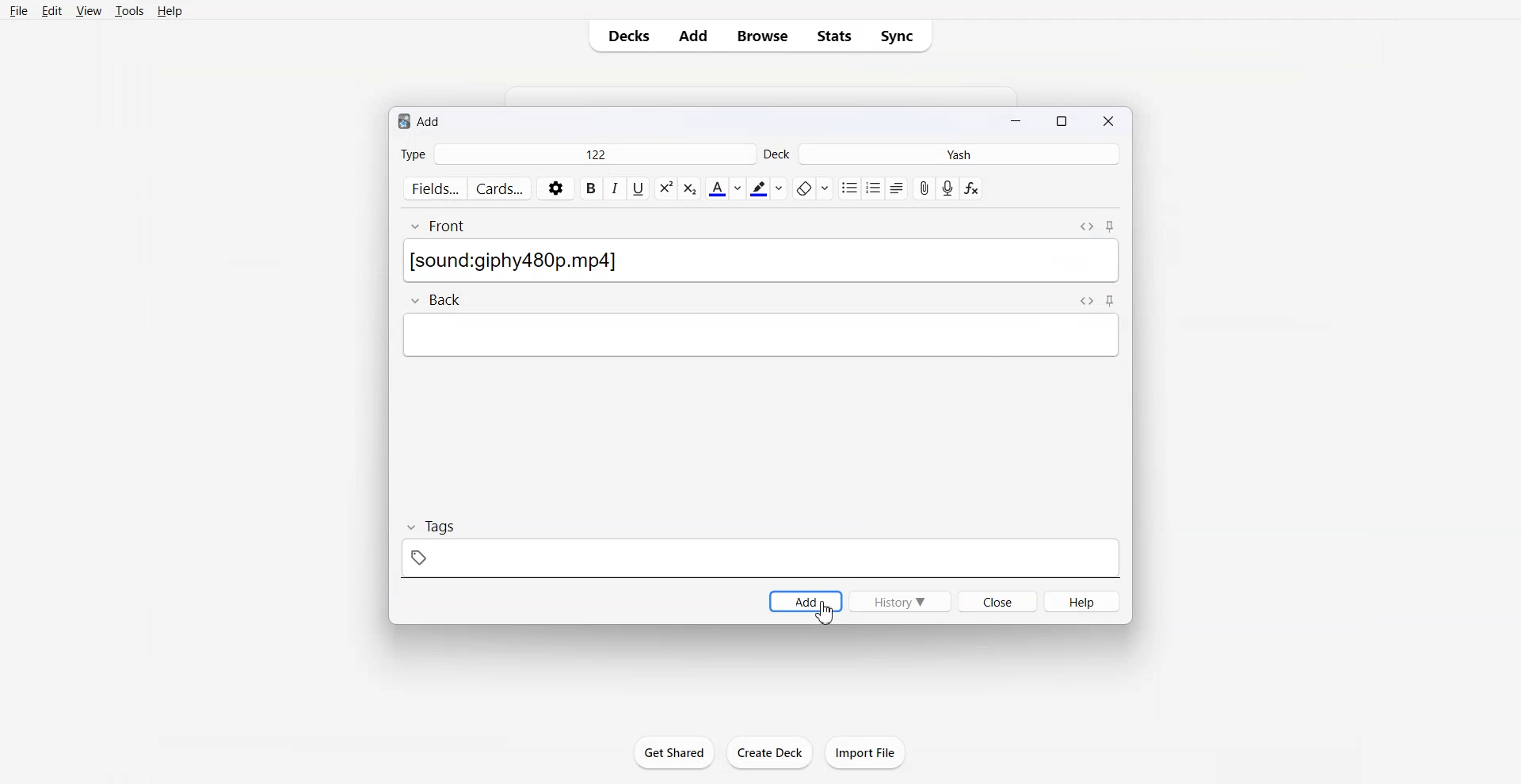 The width and height of the screenshot is (1521, 784). What do you see at coordinates (825, 612) in the screenshot?
I see `Cursor` at bounding box center [825, 612].